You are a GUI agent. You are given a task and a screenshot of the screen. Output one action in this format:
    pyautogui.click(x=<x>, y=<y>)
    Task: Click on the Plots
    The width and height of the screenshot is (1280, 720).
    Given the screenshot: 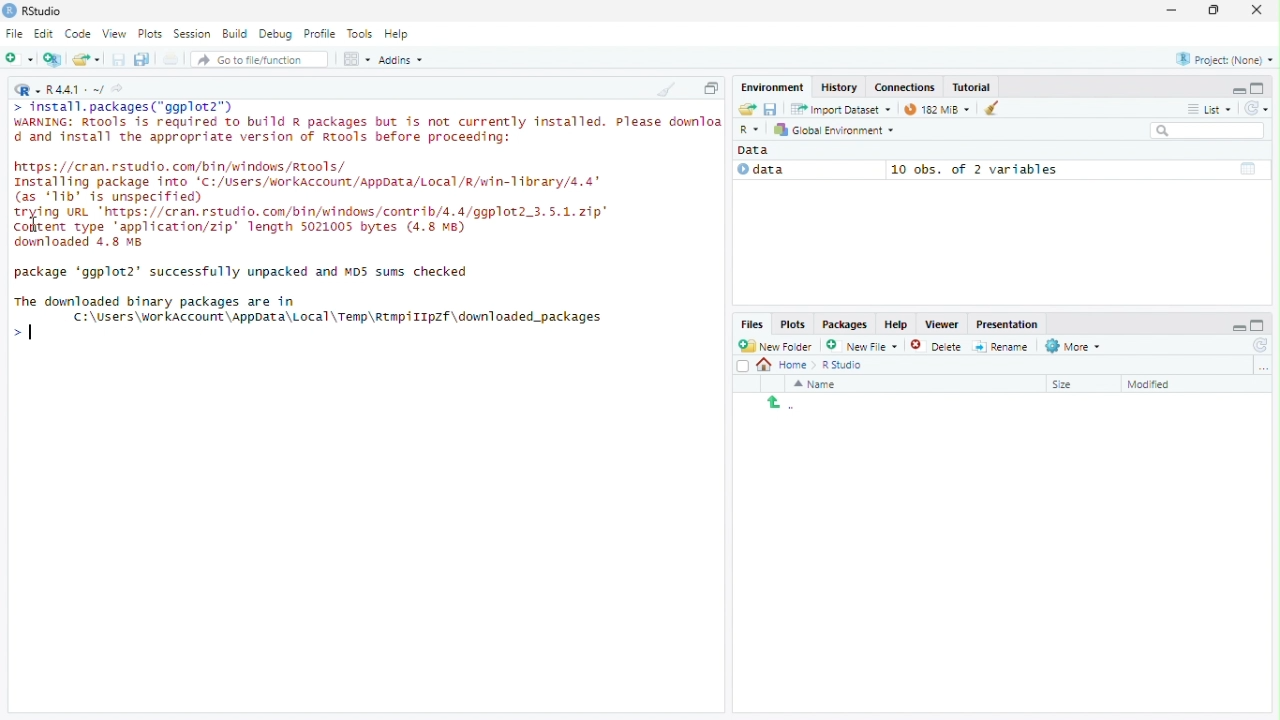 What is the action you would take?
    pyautogui.click(x=792, y=325)
    